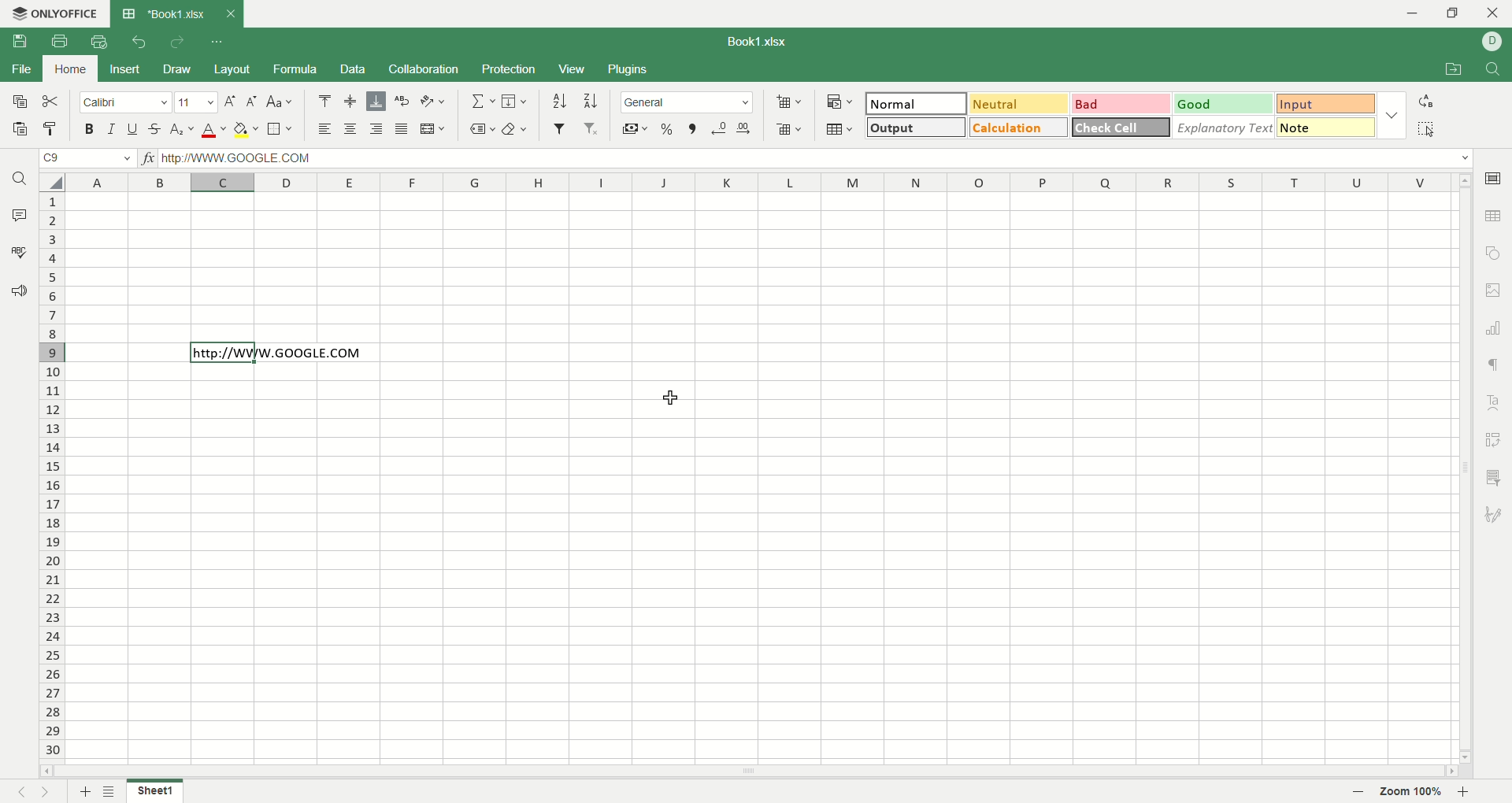 Image resolution: width=1512 pixels, height=803 pixels. I want to click on horizontal scroll bar, so click(749, 772).